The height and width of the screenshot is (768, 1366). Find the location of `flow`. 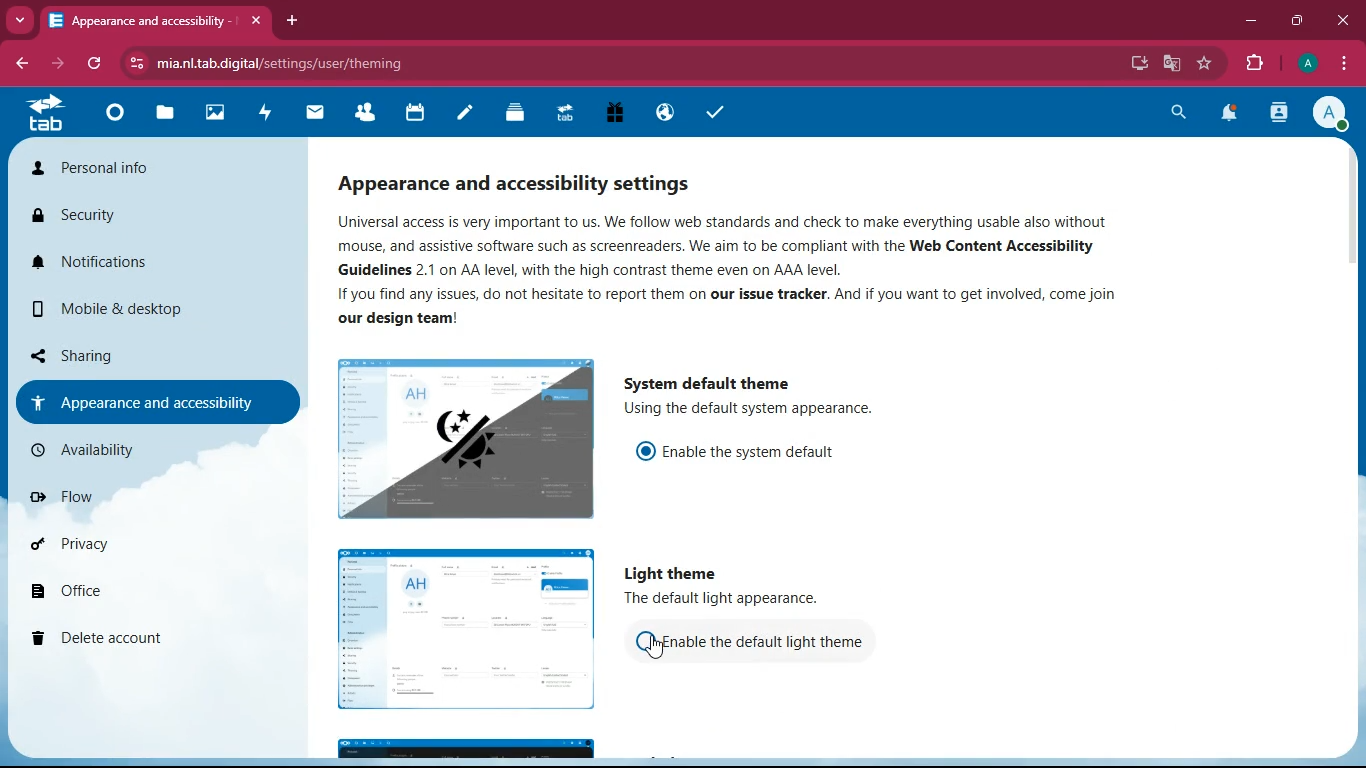

flow is located at coordinates (167, 500).